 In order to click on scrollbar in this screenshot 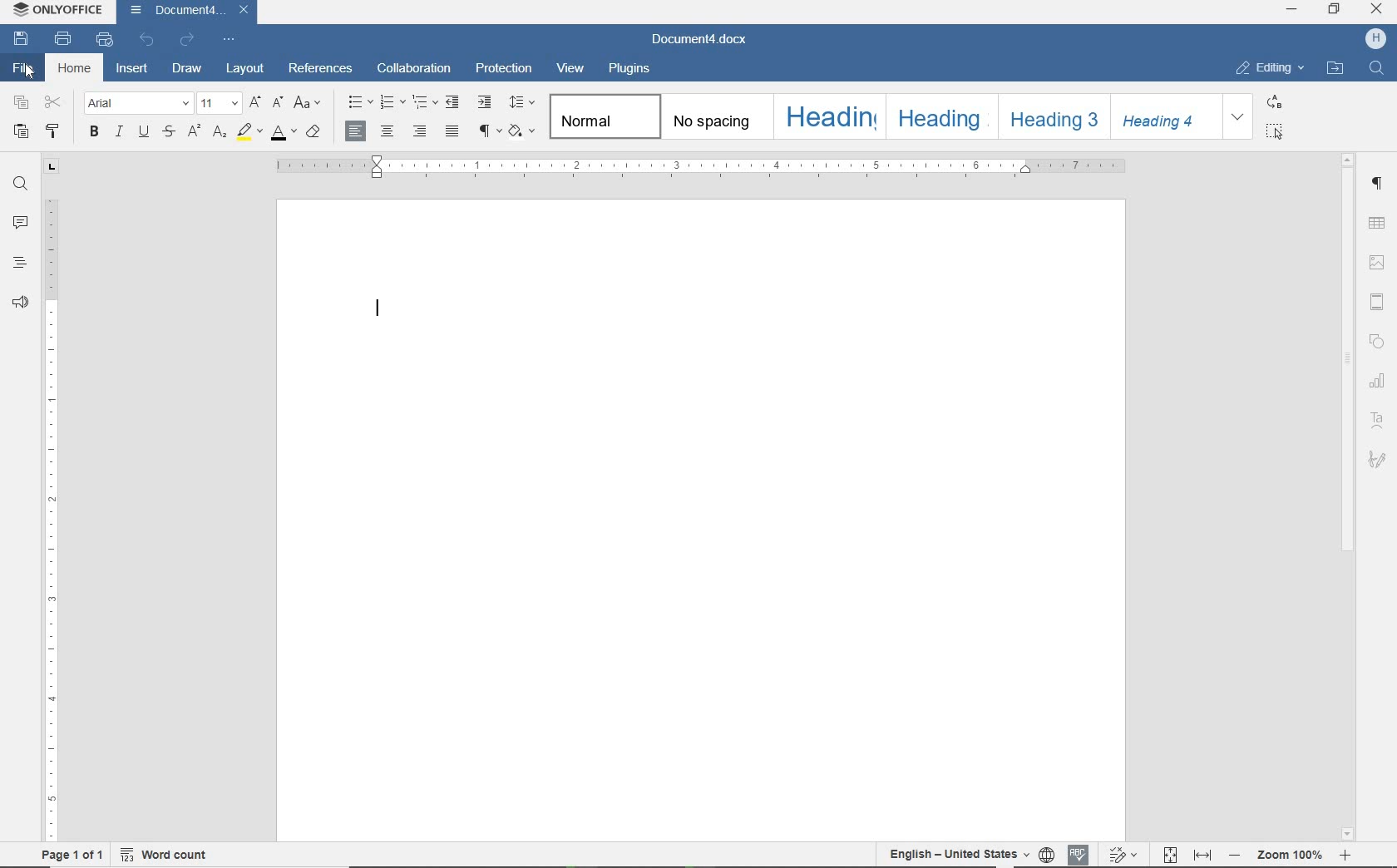, I will do `click(1350, 356)`.